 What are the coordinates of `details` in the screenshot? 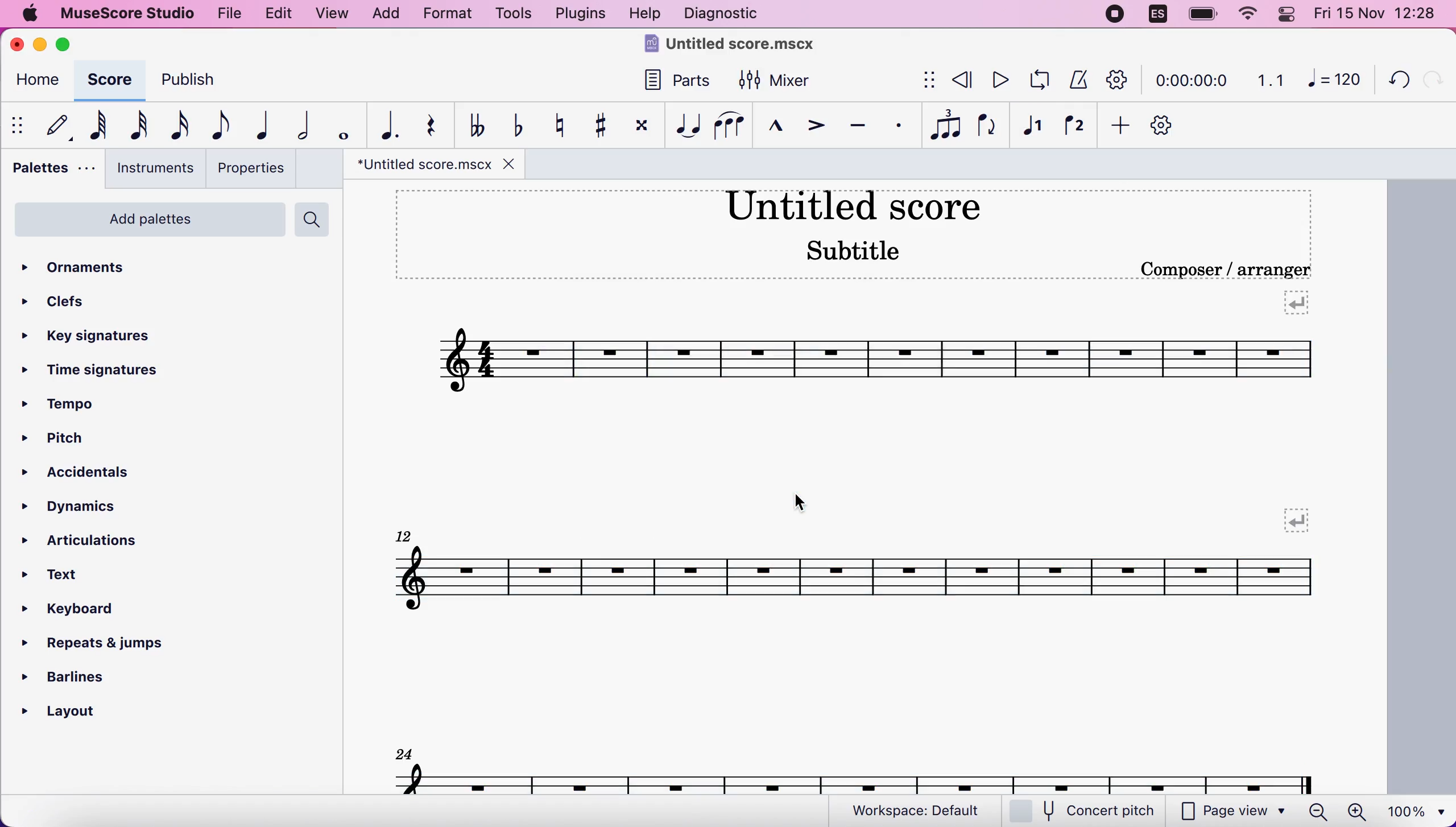 It's located at (1225, 270).